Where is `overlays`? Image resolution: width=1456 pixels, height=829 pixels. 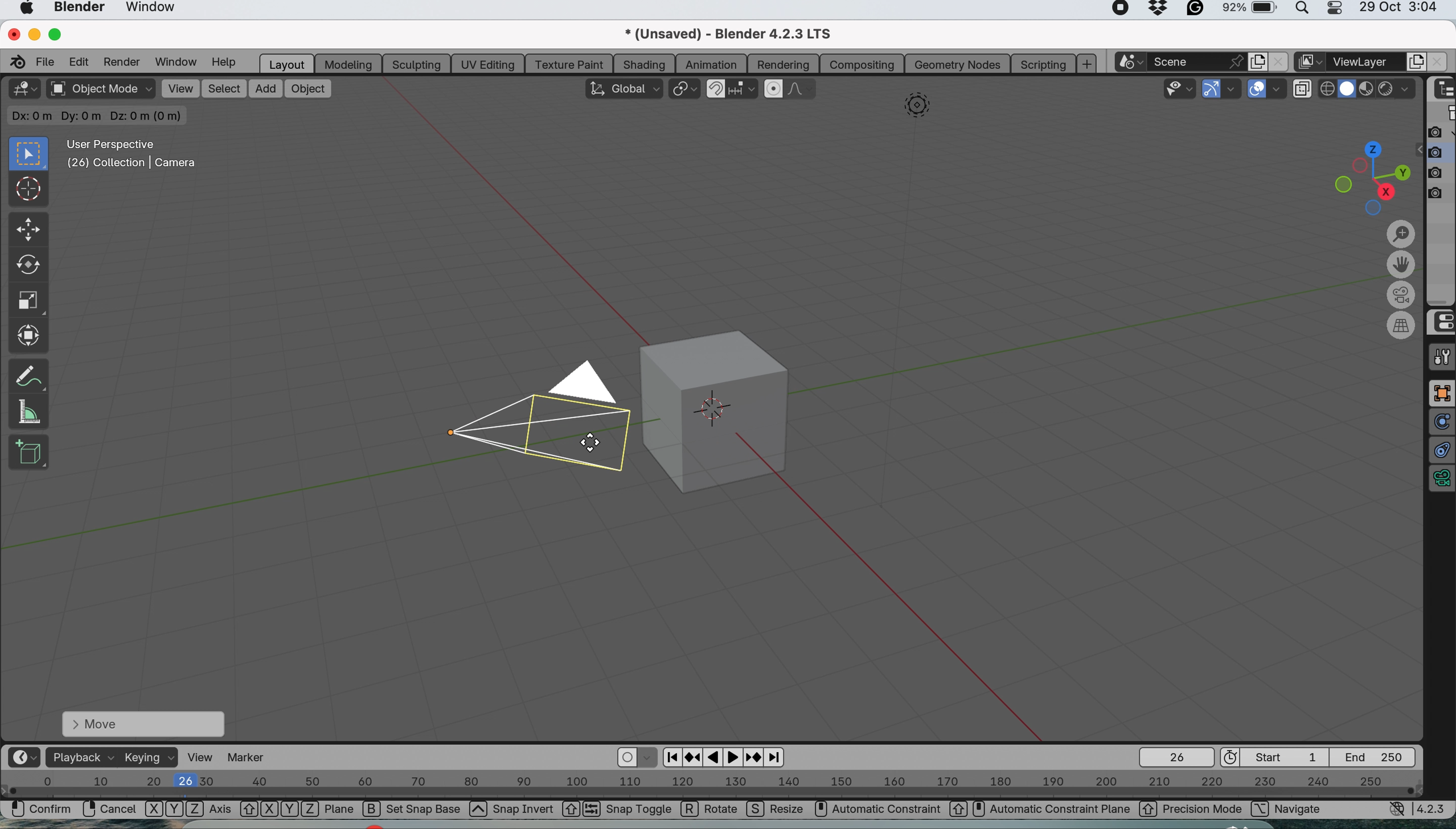
overlays is located at coordinates (1280, 89).